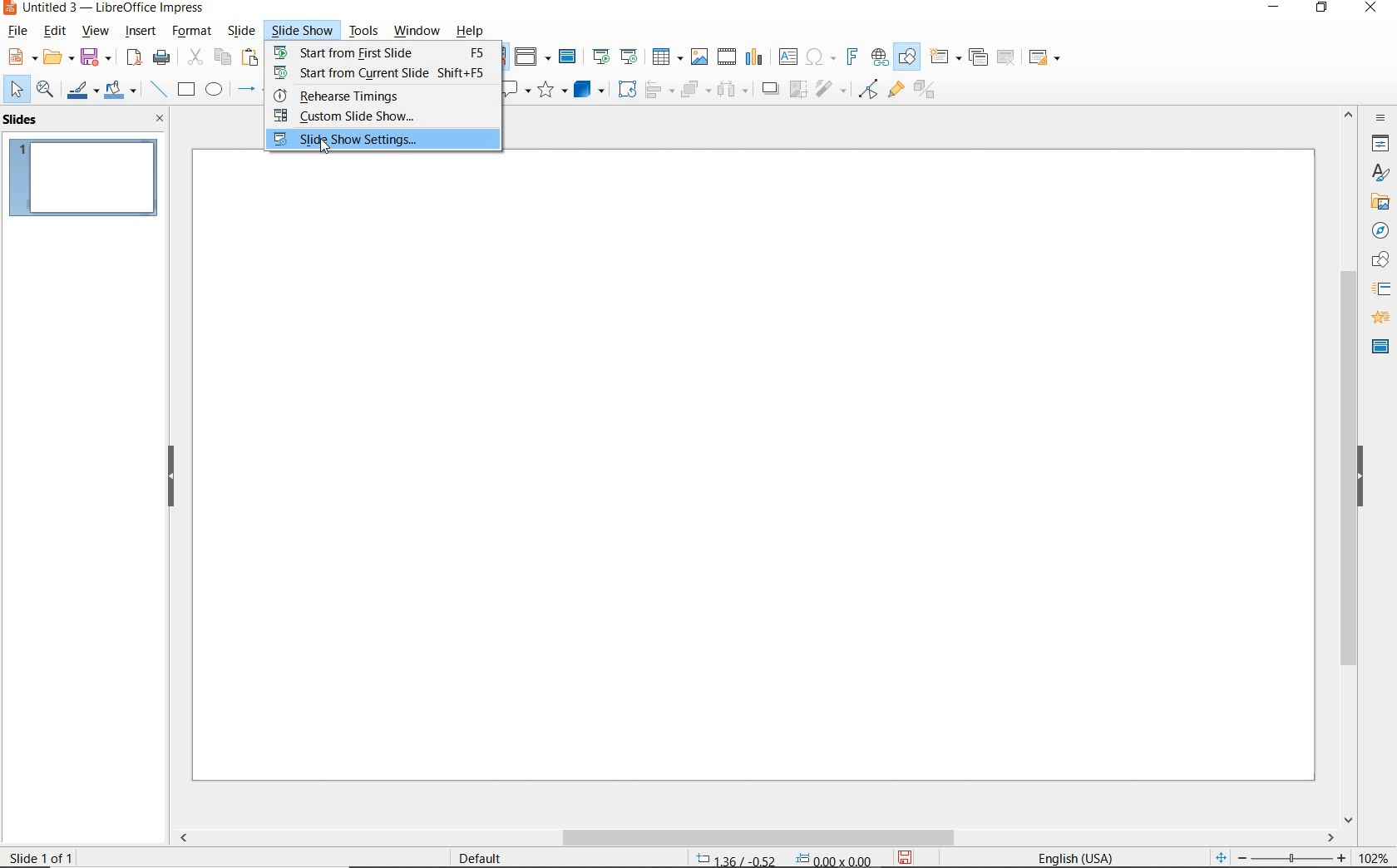 Image resolution: width=1397 pixels, height=868 pixels. I want to click on CLOSE, so click(160, 118).